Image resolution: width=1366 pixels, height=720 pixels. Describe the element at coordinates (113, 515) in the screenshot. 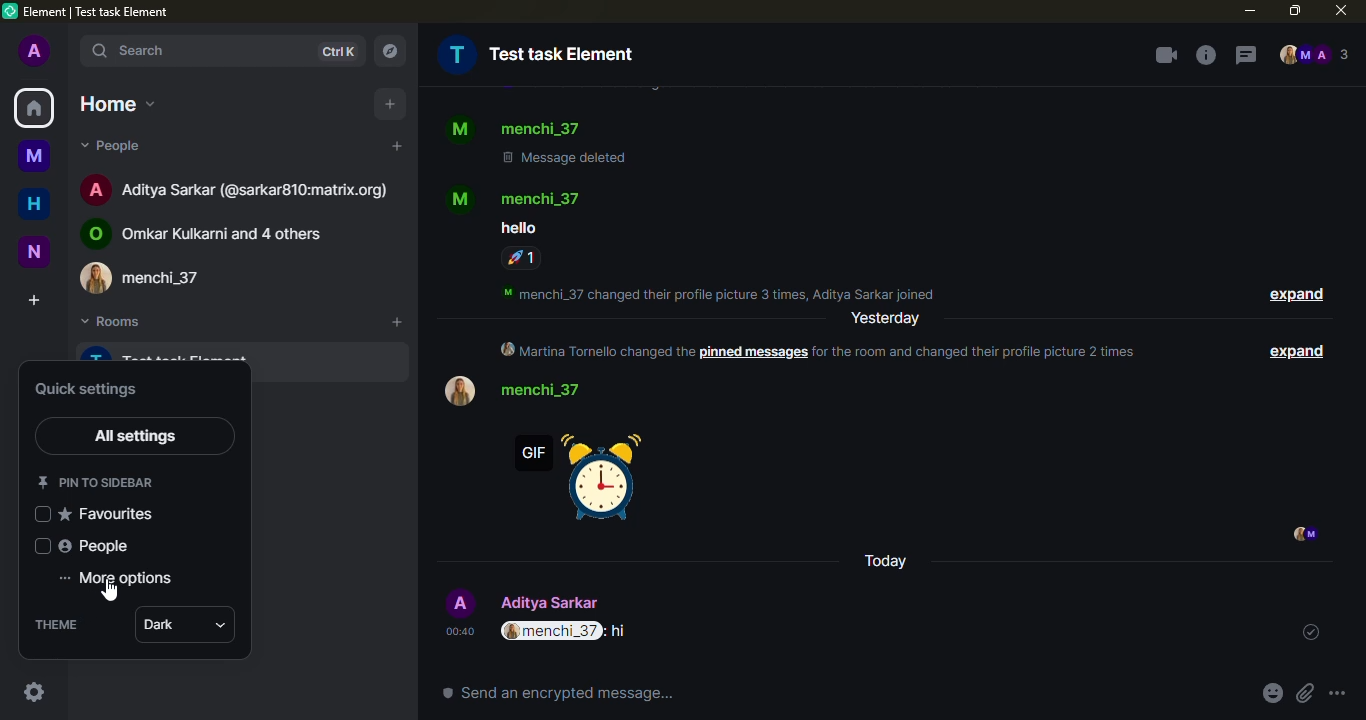

I see `favorites` at that location.